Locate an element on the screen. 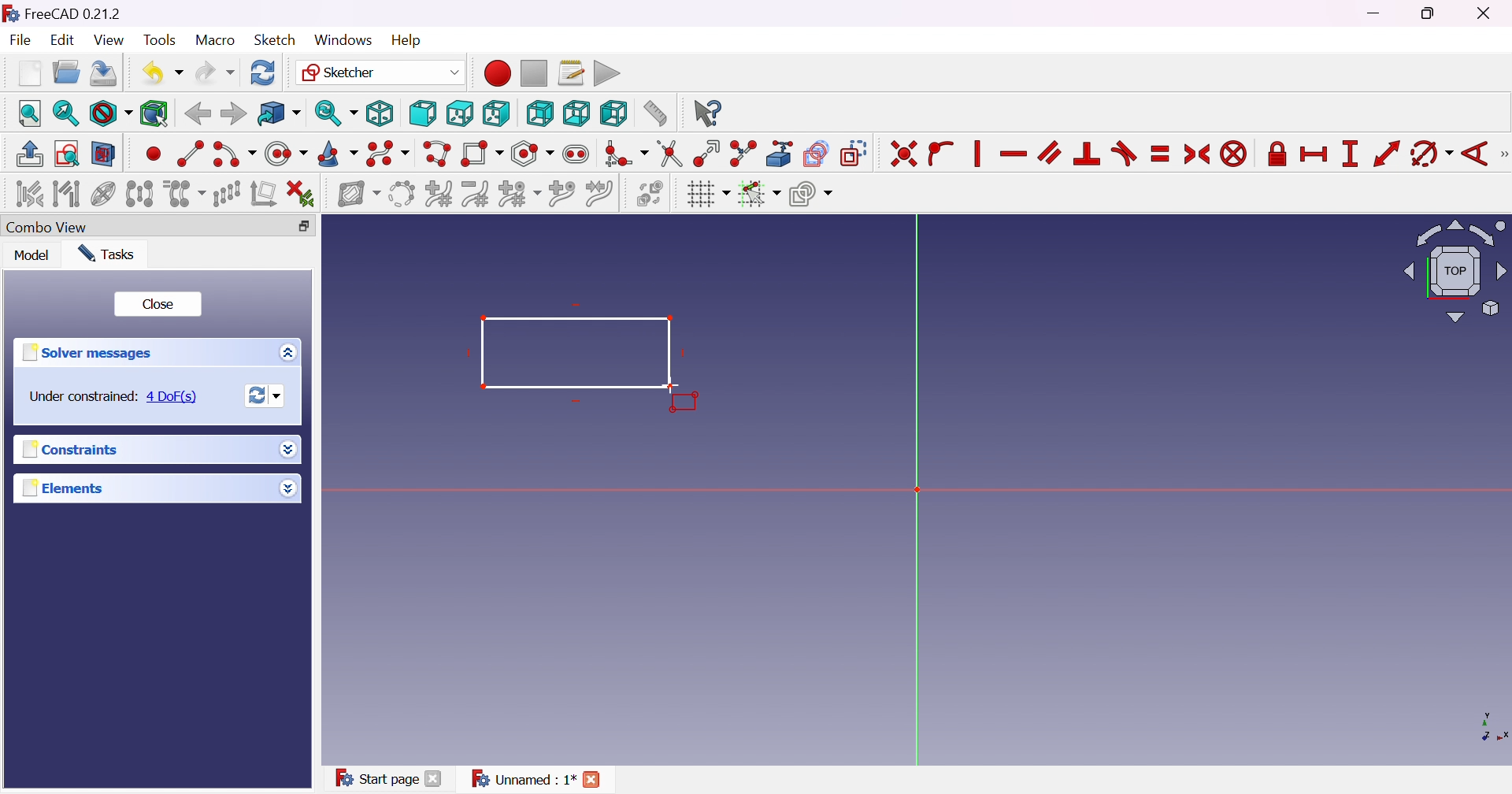  Constrain coincident is located at coordinates (902, 154).